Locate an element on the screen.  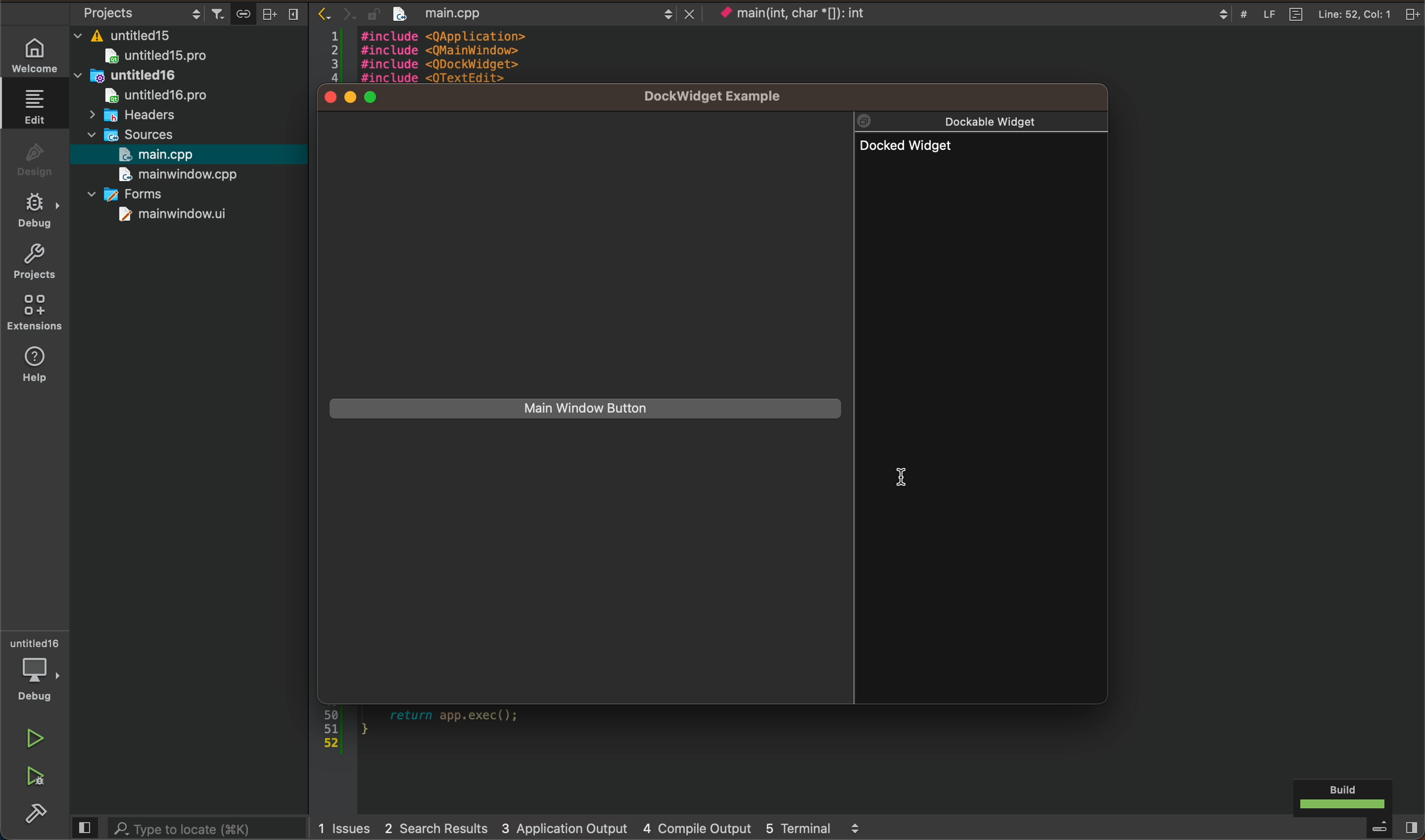
welcome is located at coordinates (35, 49).